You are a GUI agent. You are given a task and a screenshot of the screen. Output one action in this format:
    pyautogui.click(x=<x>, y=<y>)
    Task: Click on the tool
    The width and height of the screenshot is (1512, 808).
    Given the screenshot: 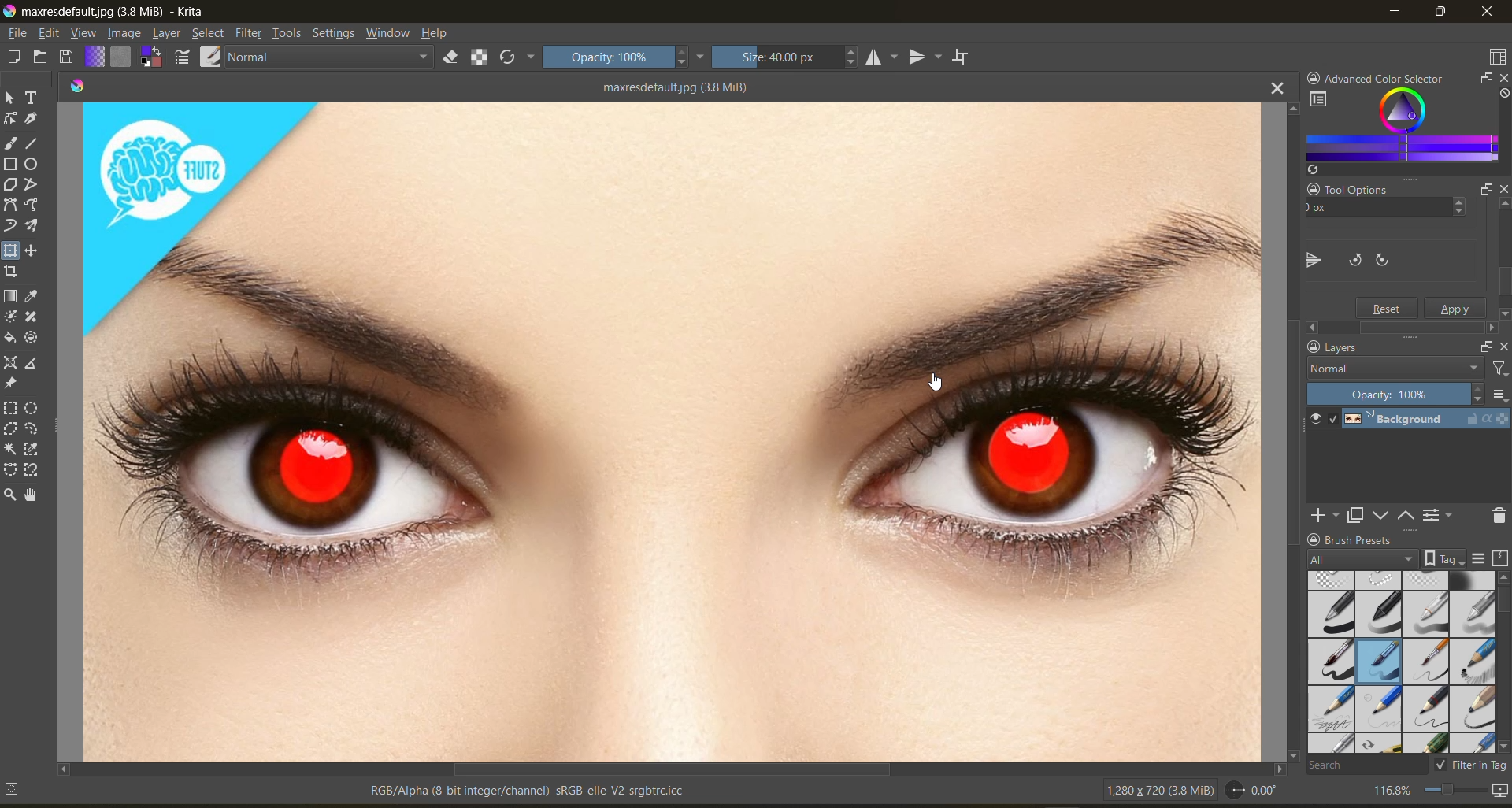 What is the action you would take?
    pyautogui.click(x=9, y=337)
    